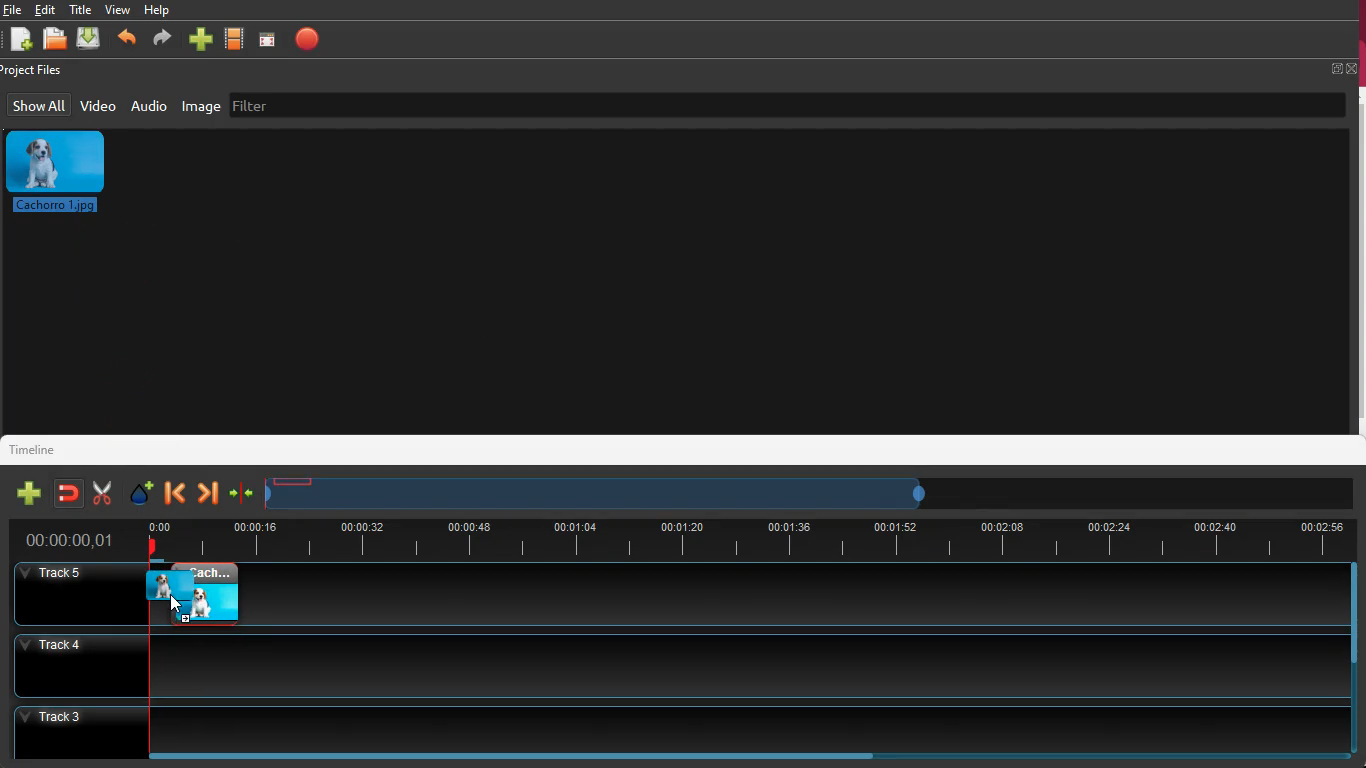  Describe the element at coordinates (149, 105) in the screenshot. I see `audio` at that location.